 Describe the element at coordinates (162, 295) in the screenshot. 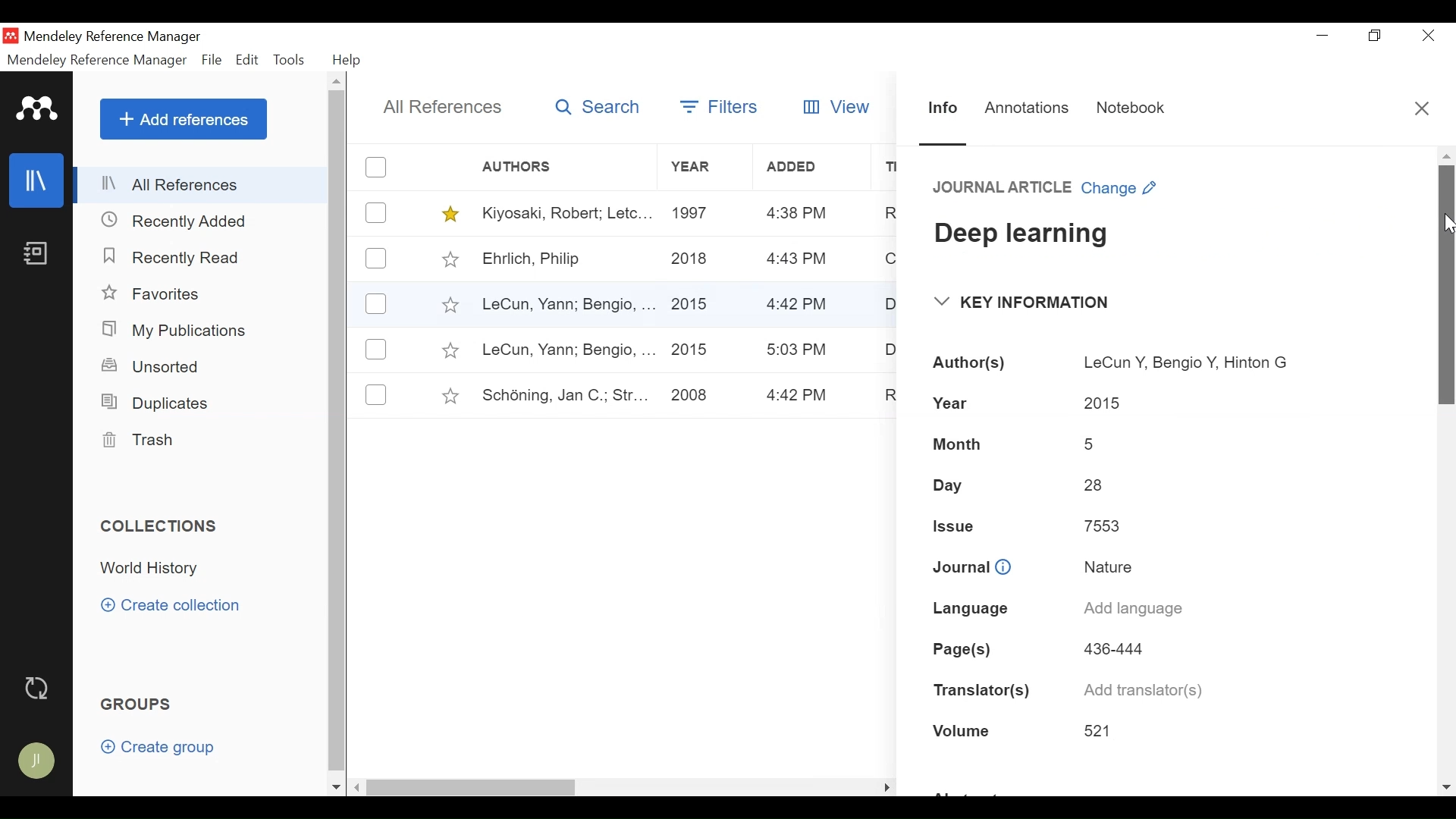

I see `Favorites` at that location.